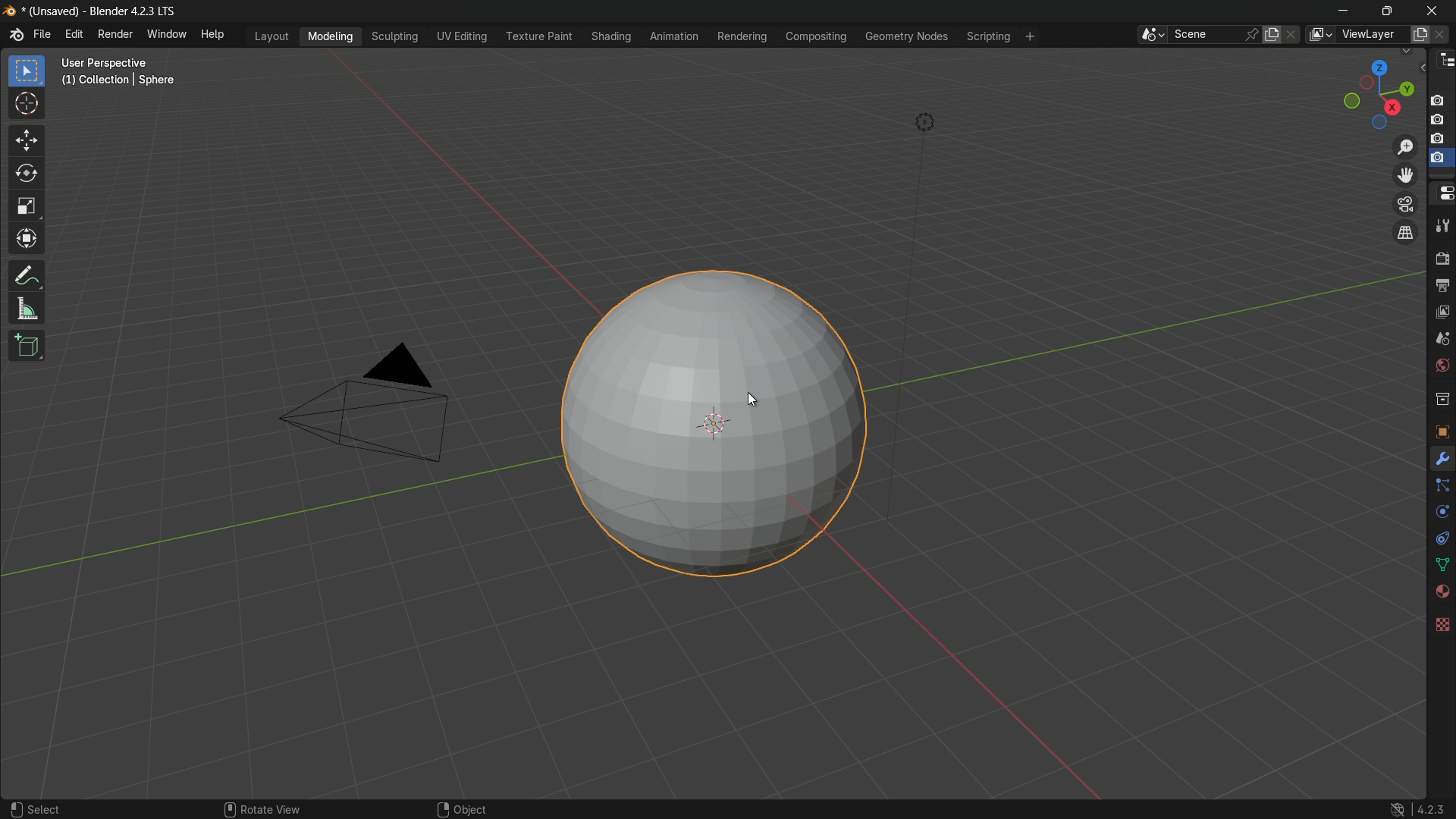  What do you see at coordinates (1408, 234) in the screenshot?
I see `switch current view` at bounding box center [1408, 234].